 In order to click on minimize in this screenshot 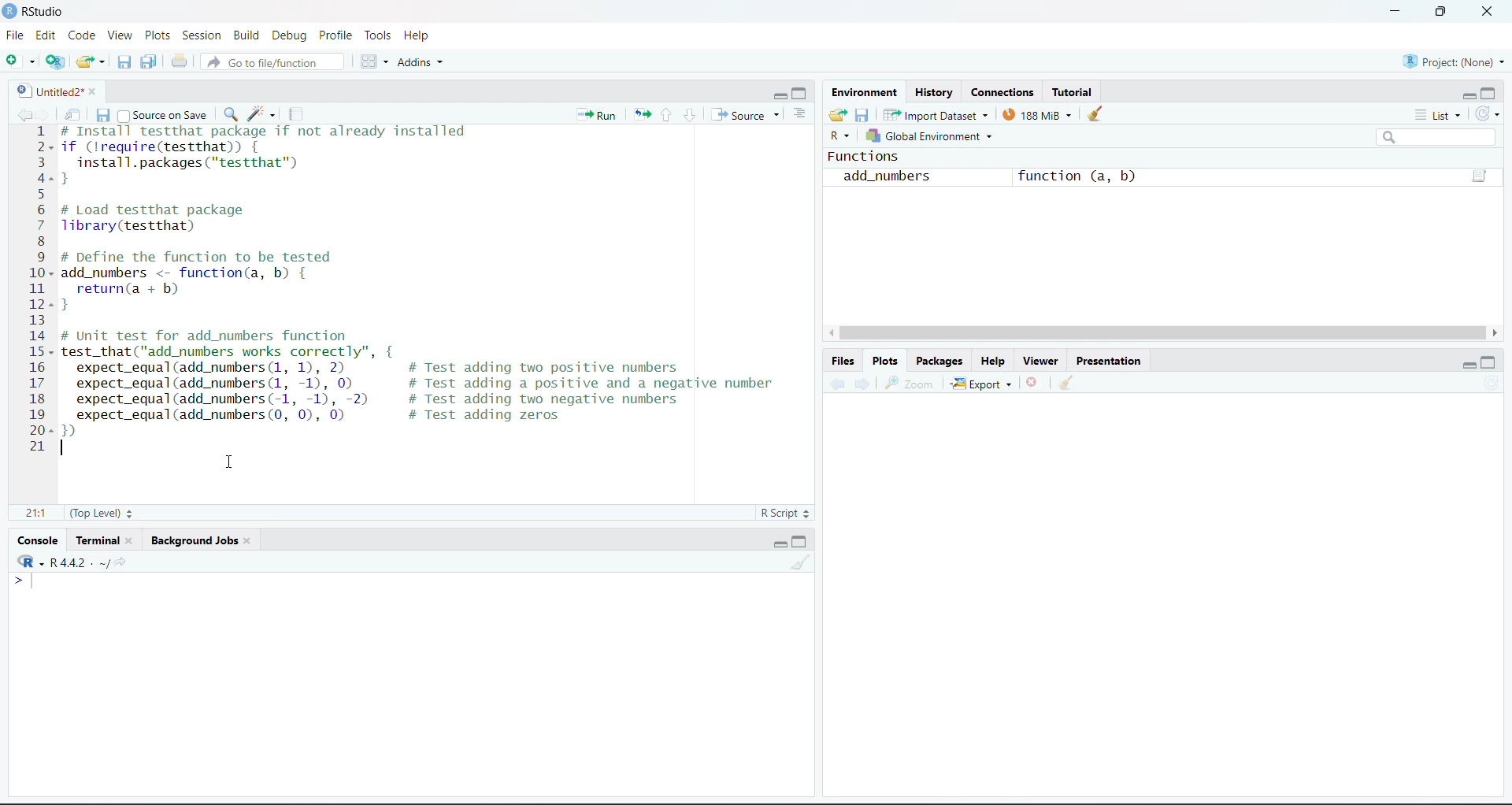, I will do `click(1397, 9)`.